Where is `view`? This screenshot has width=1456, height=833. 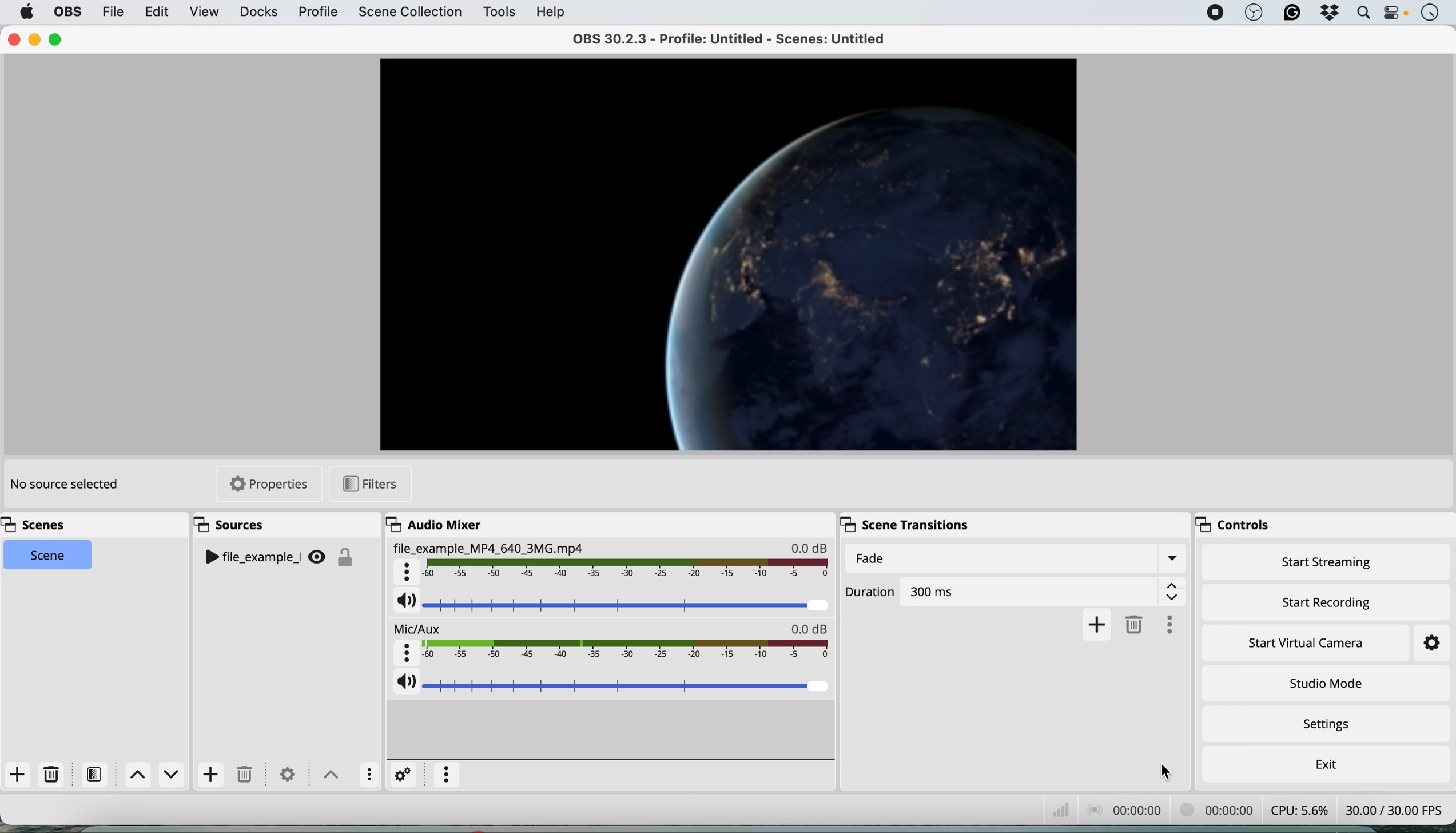 view is located at coordinates (204, 13).